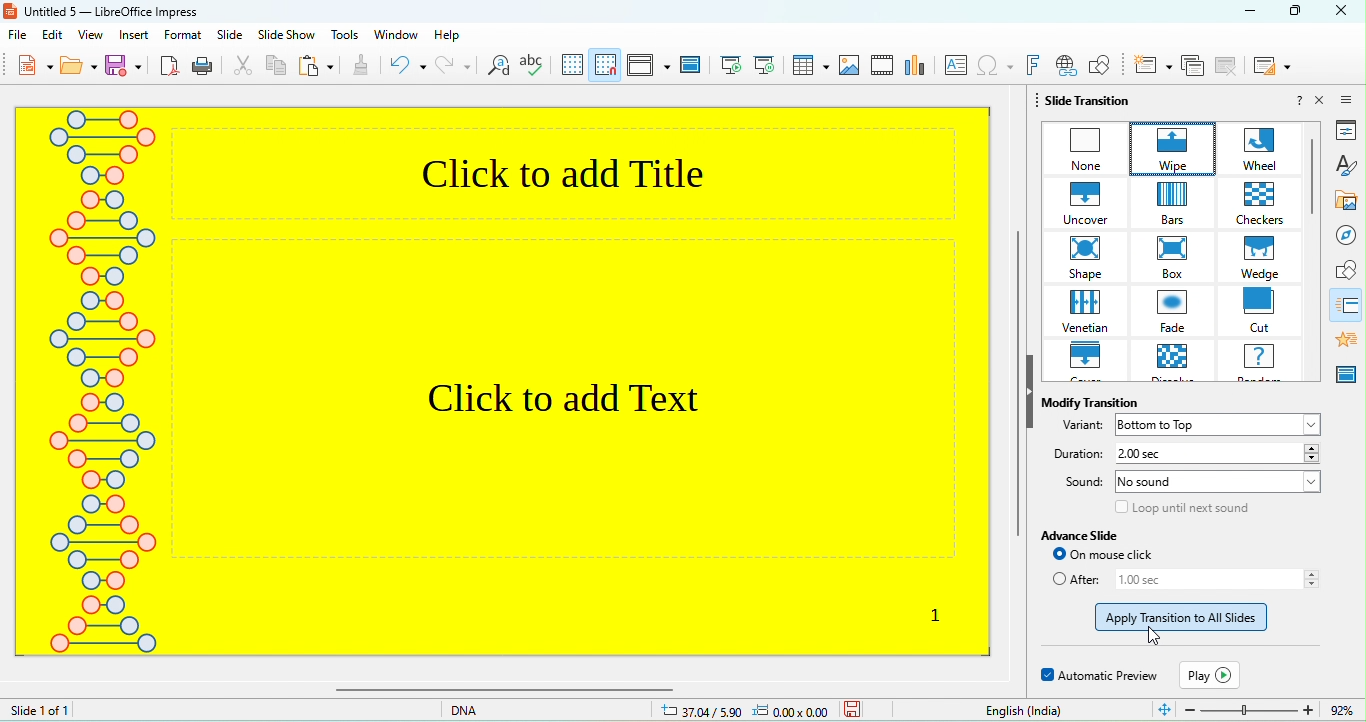  Describe the element at coordinates (644, 67) in the screenshot. I see `display view` at that location.